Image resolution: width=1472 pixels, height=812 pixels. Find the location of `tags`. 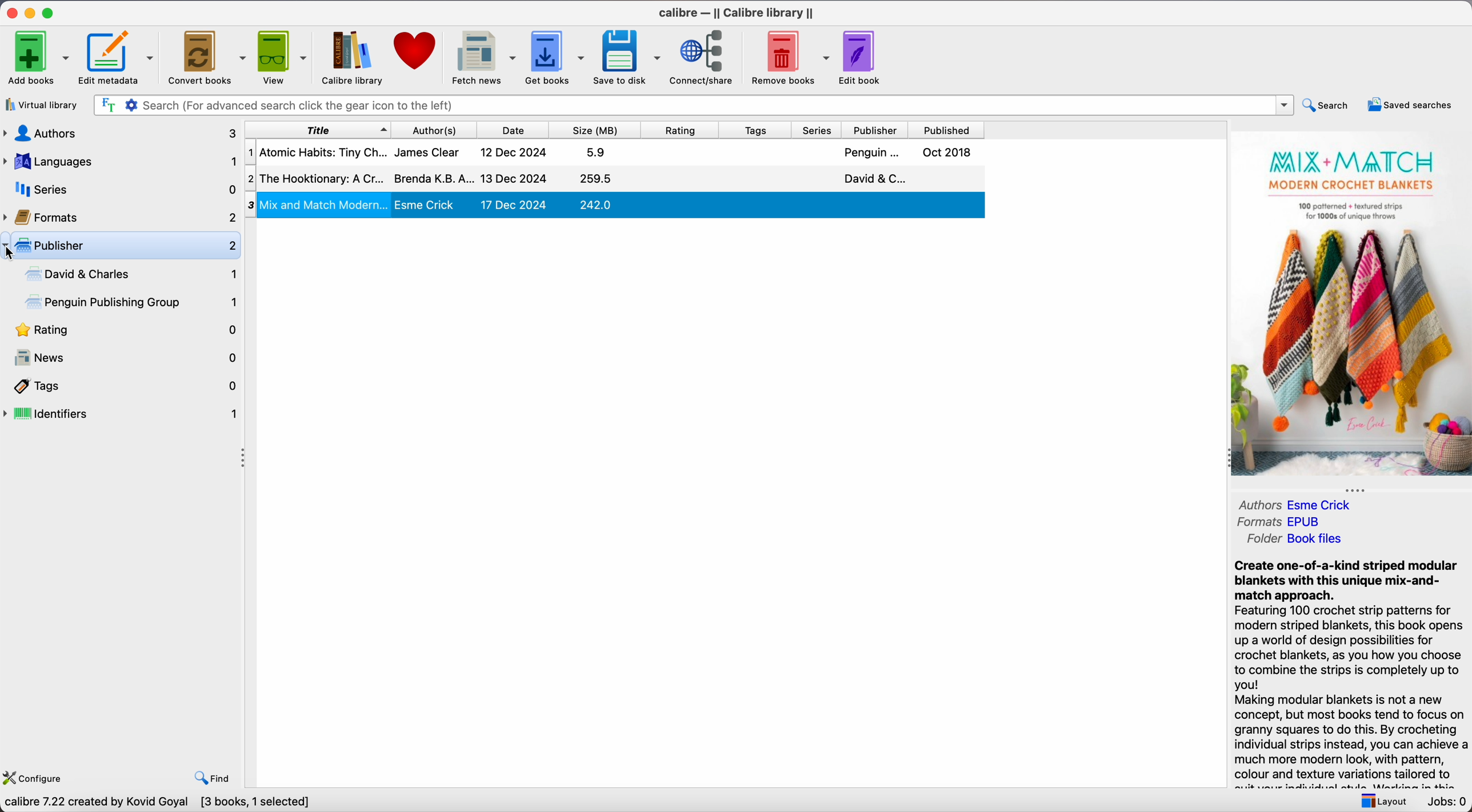

tags is located at coordinates (758, 130).